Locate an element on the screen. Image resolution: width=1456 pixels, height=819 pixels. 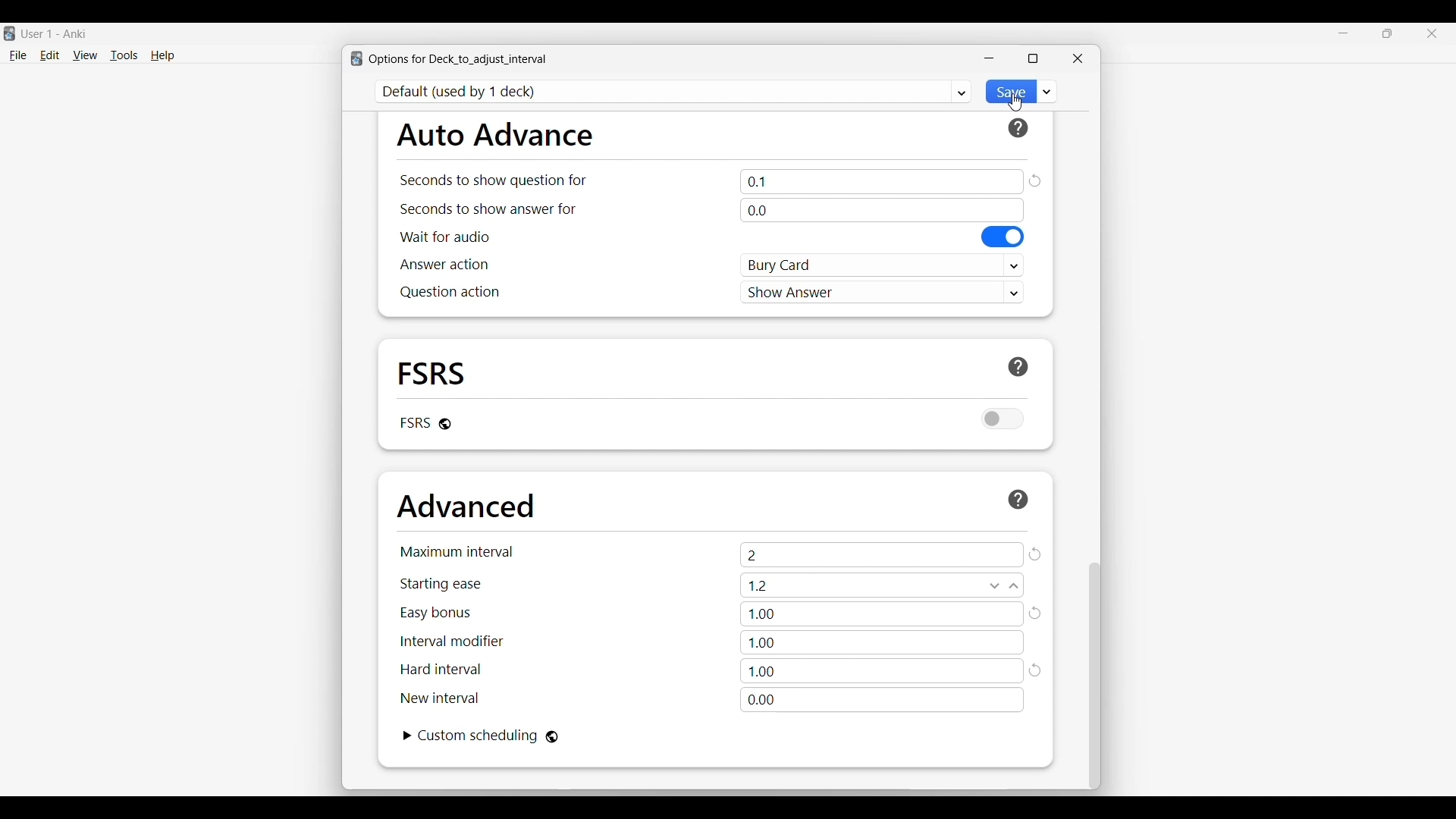
Click to expand is located at coordinates (408, 736).